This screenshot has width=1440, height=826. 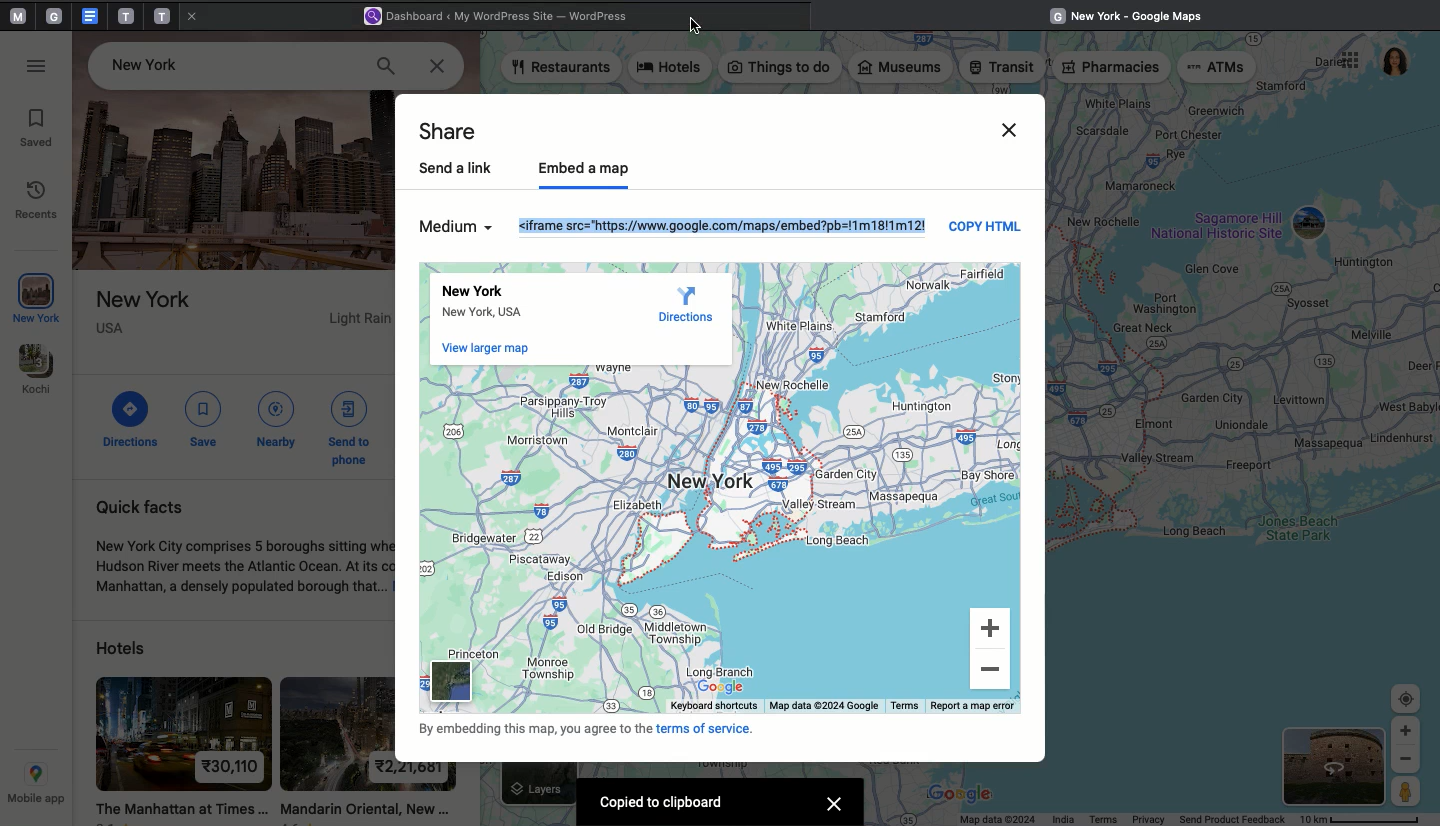 What do you see at coordinates (994, 628) in the screenshot?
I see `Zoom In` at bounding box center [994, 628].